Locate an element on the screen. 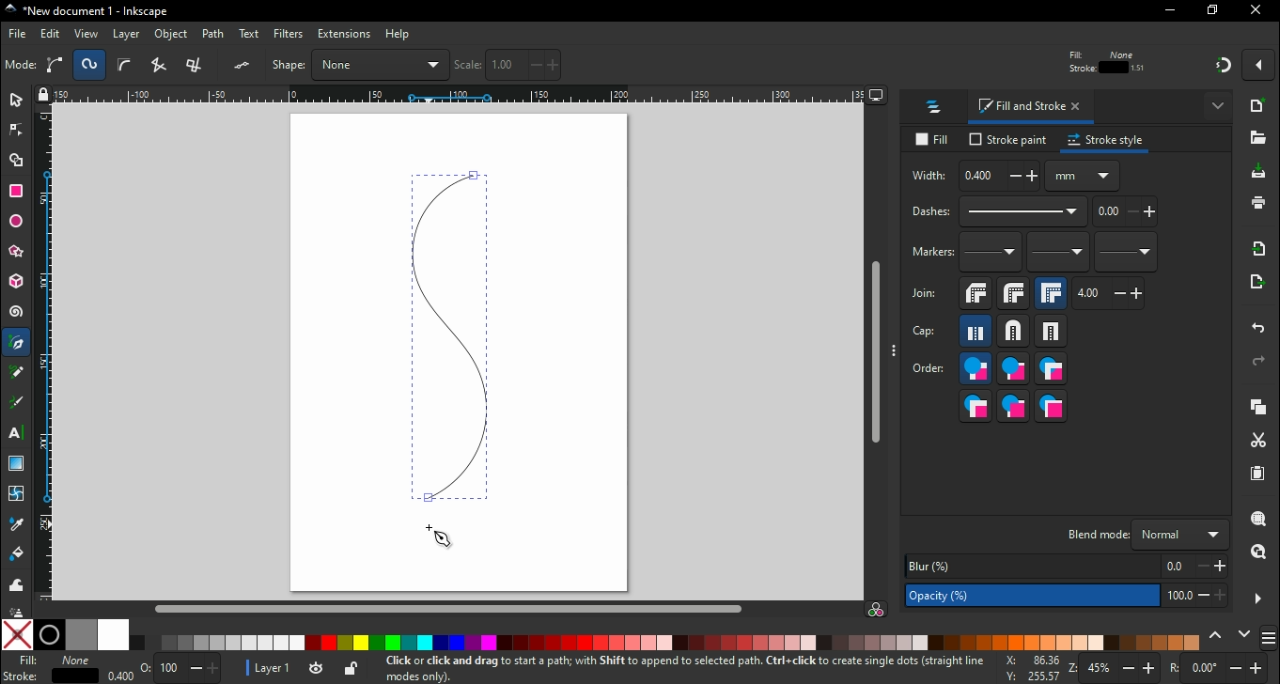 This screenshot has width=1280, height=684. mode is located at coordinates (21, 66).